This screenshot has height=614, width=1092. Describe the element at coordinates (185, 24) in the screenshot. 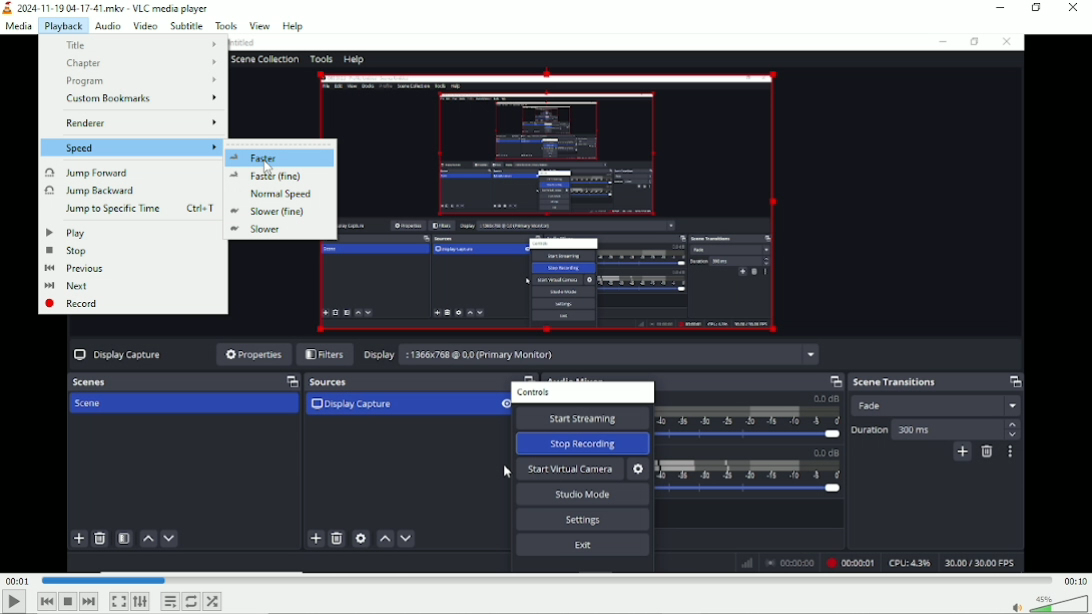

I see `subtitle` at that location.